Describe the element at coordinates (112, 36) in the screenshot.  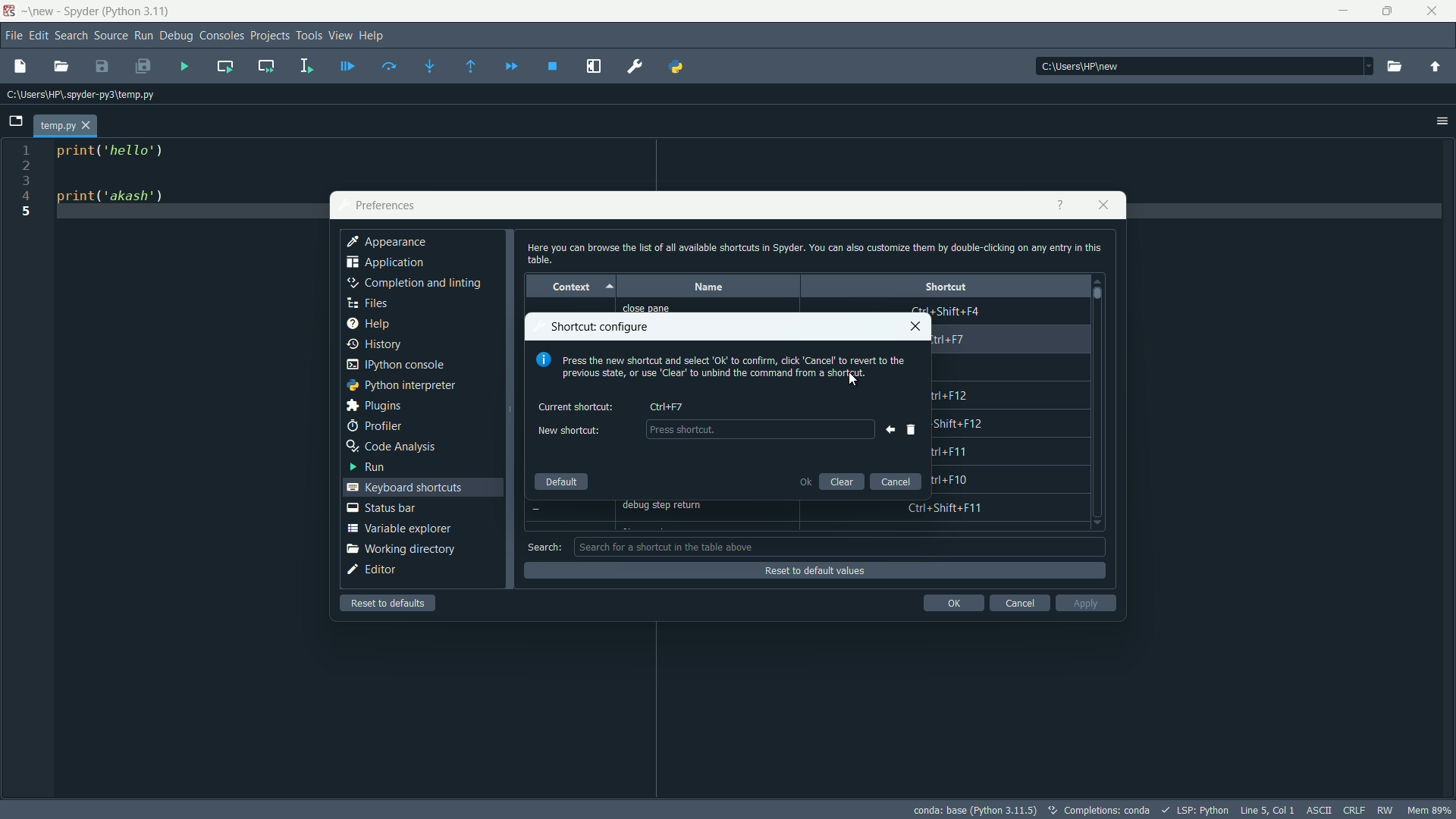
I see `source menu` at that location.